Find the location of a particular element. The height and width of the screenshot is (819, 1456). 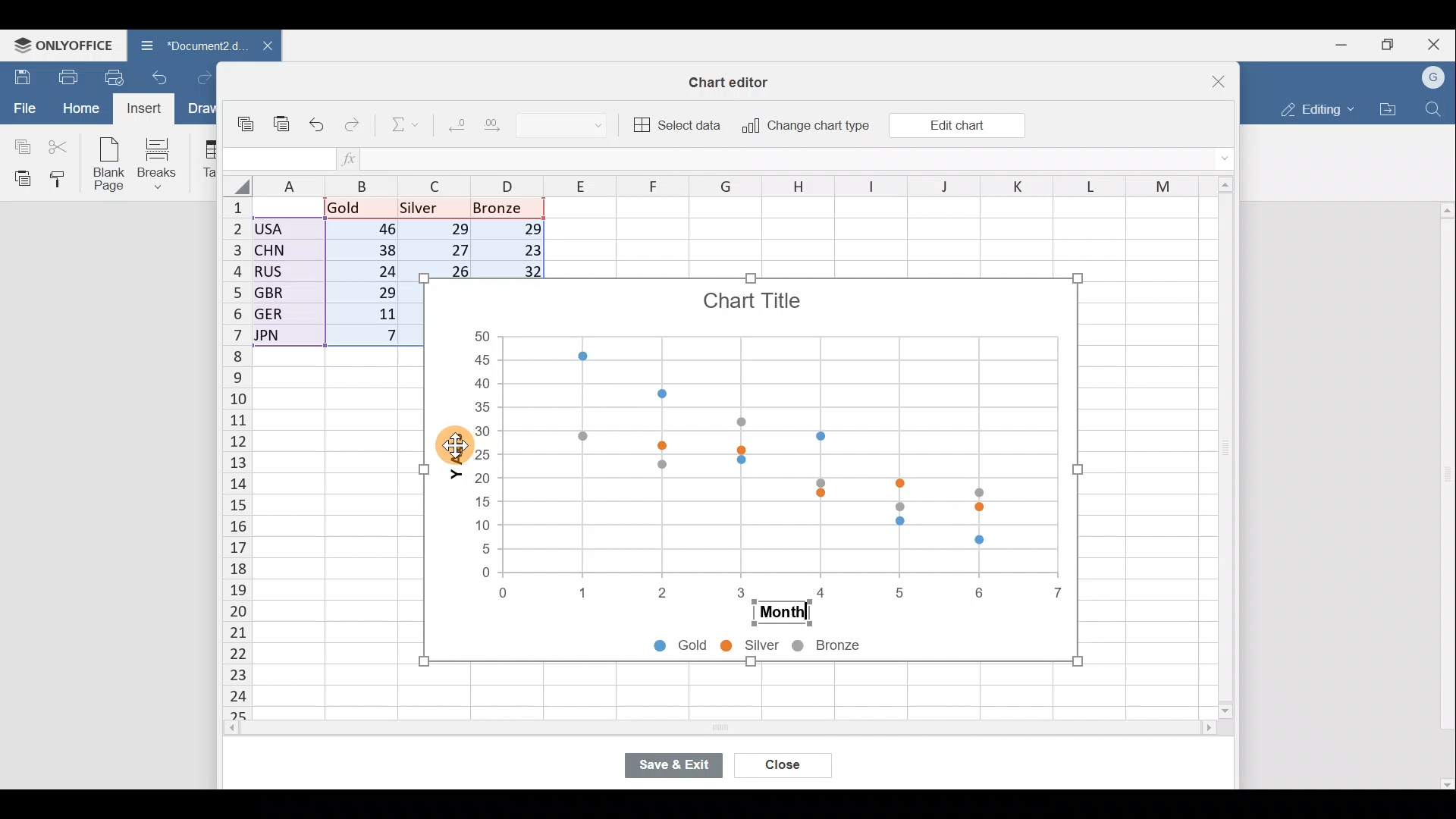

ONLYOFFICE Menu is located at coordinates (63, 45).